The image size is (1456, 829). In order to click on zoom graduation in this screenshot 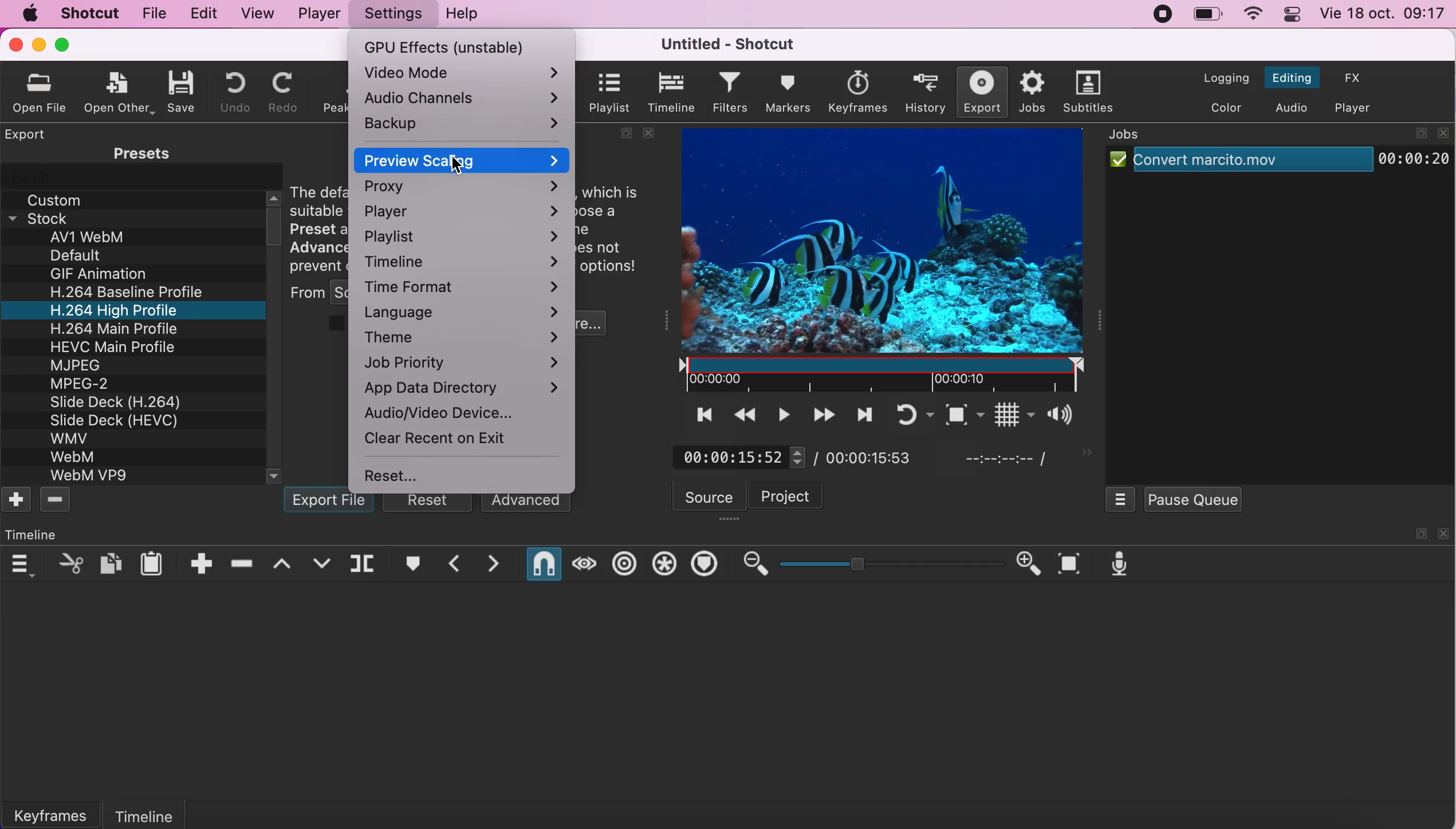, I will do `click(892, 564)`.